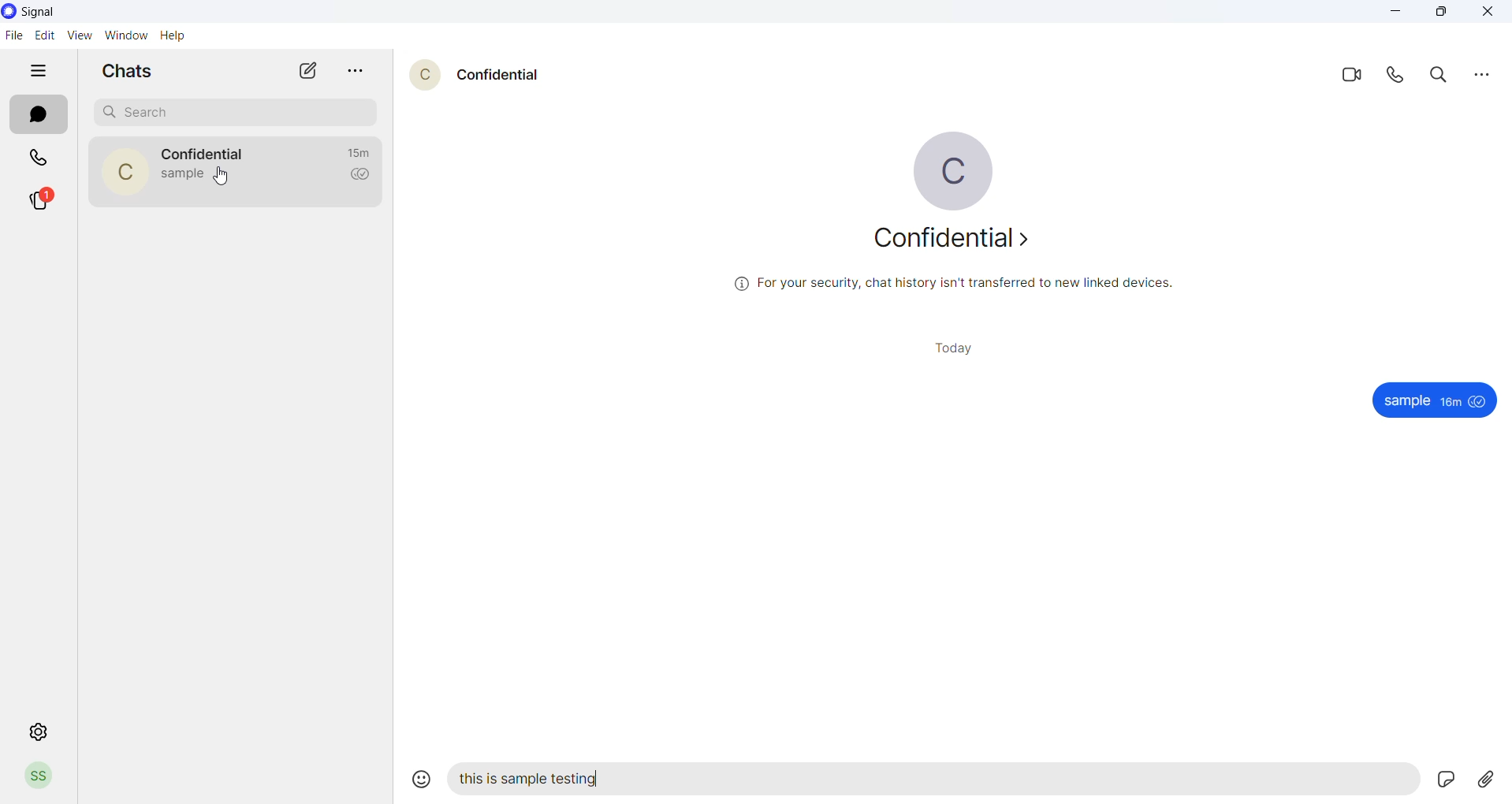  I want to click on video call, so click(1356, 73).